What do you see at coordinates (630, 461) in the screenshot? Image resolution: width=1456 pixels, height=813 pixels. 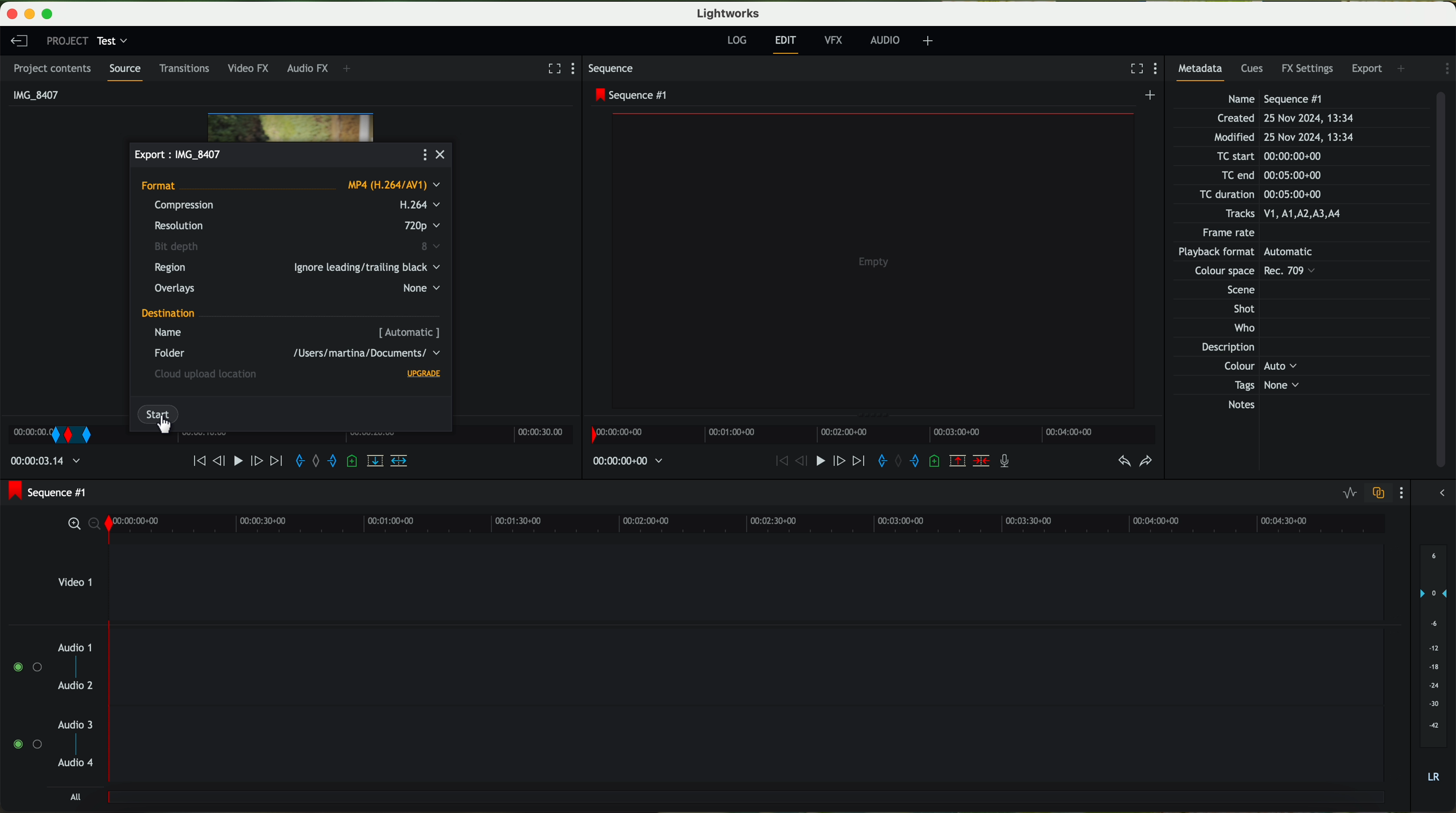 I see `time` at bounding box center [630, 461].